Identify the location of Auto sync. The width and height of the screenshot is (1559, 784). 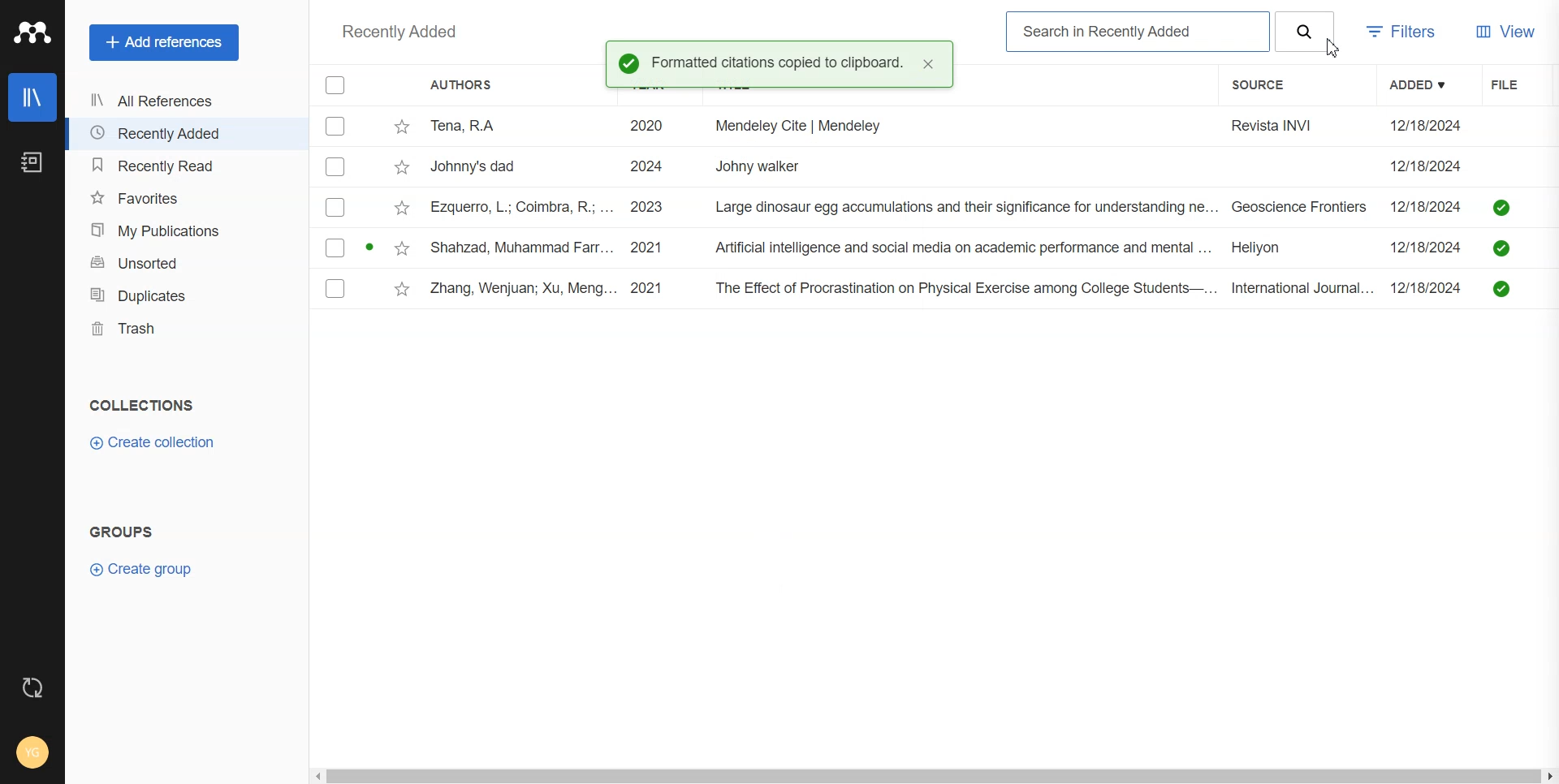
(33, 687).